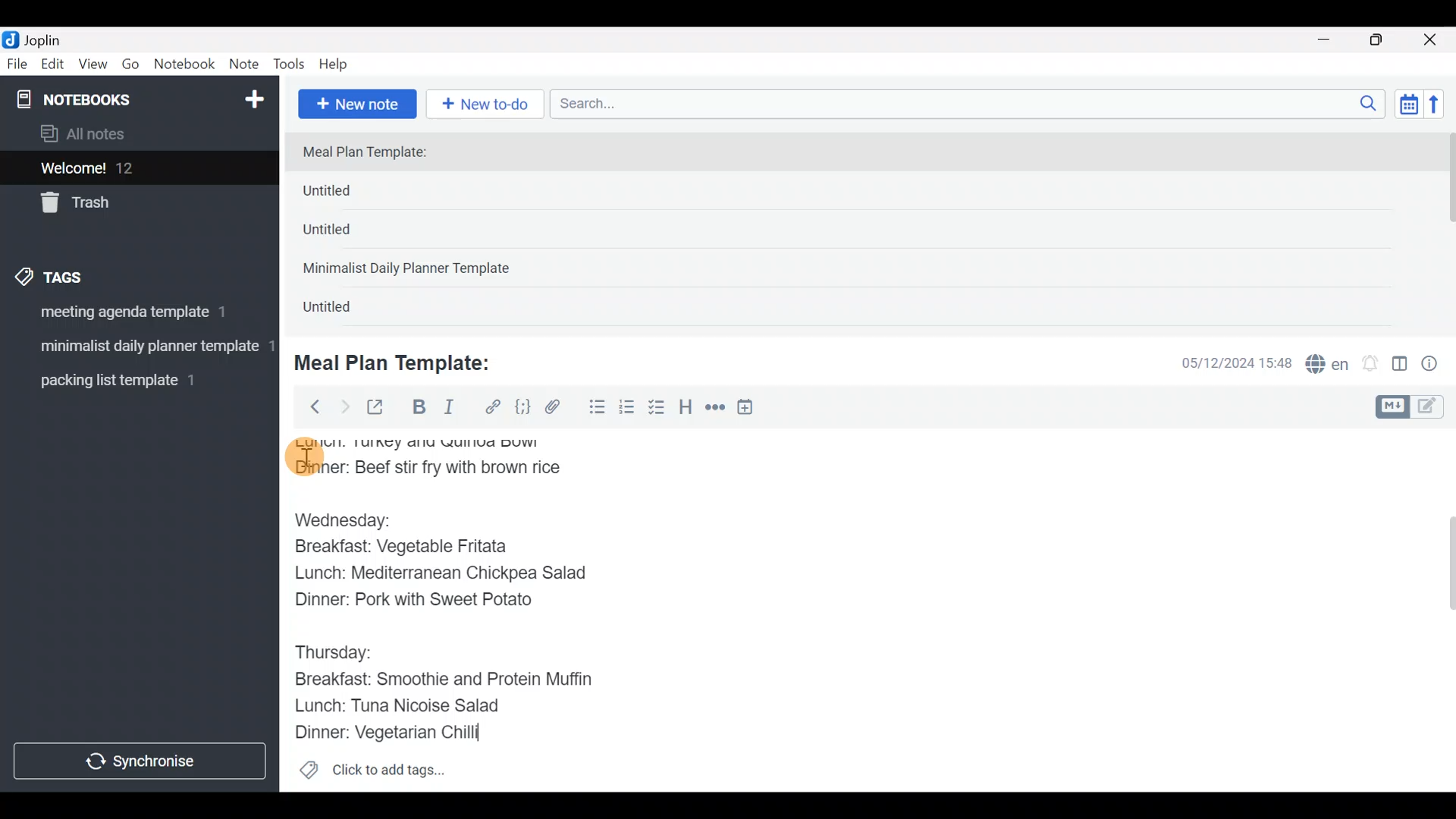 The image size is (1456, 819). I want to click on Breakfast: Smoothie and Protein Muffin, so click(440, 678).